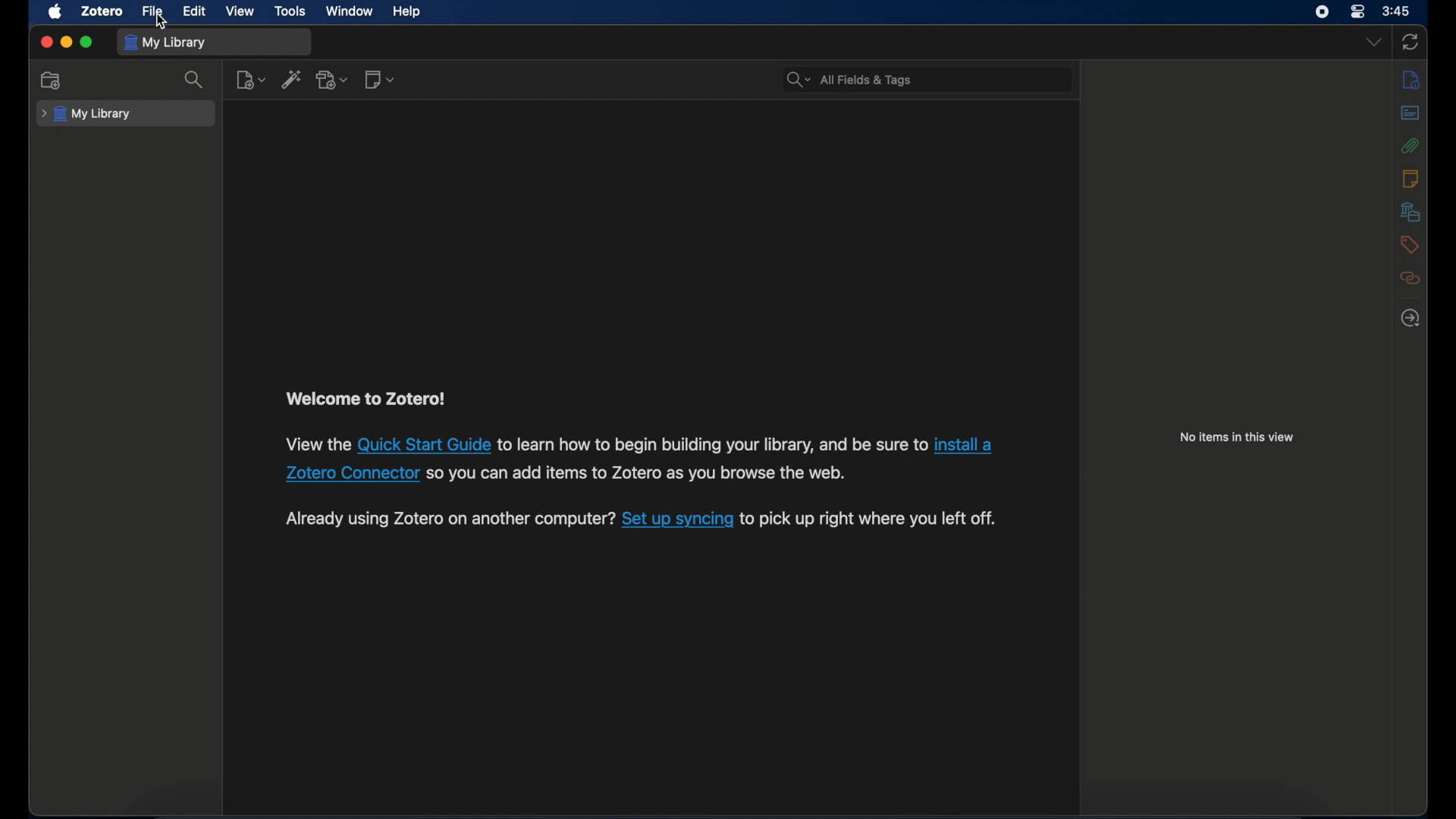  What do you see at coordinates (1410, 111) in the screenshot?
I see `abstract` at bounding box center [1410, 111].